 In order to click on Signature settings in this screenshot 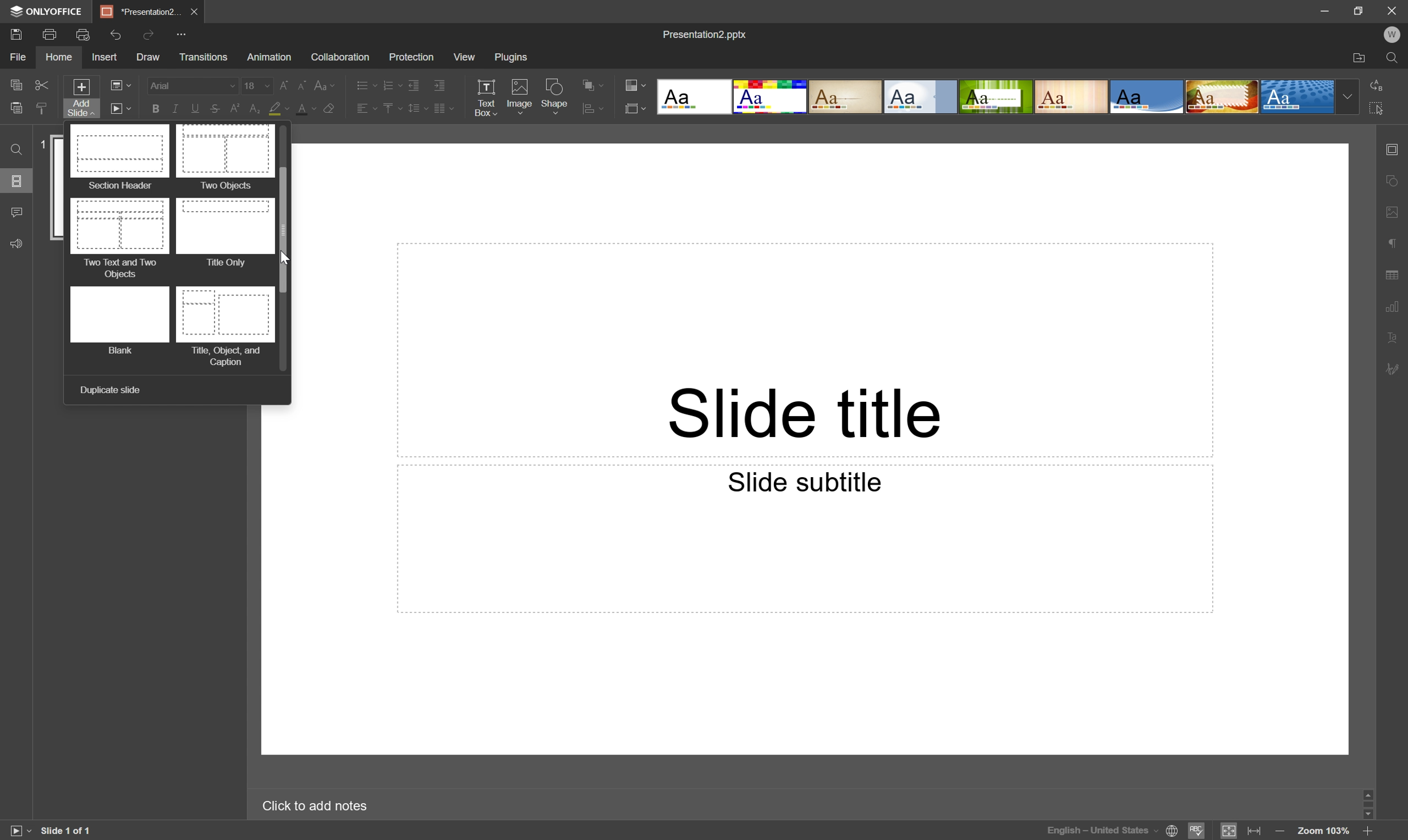, I will do `click(1397, 368)`.